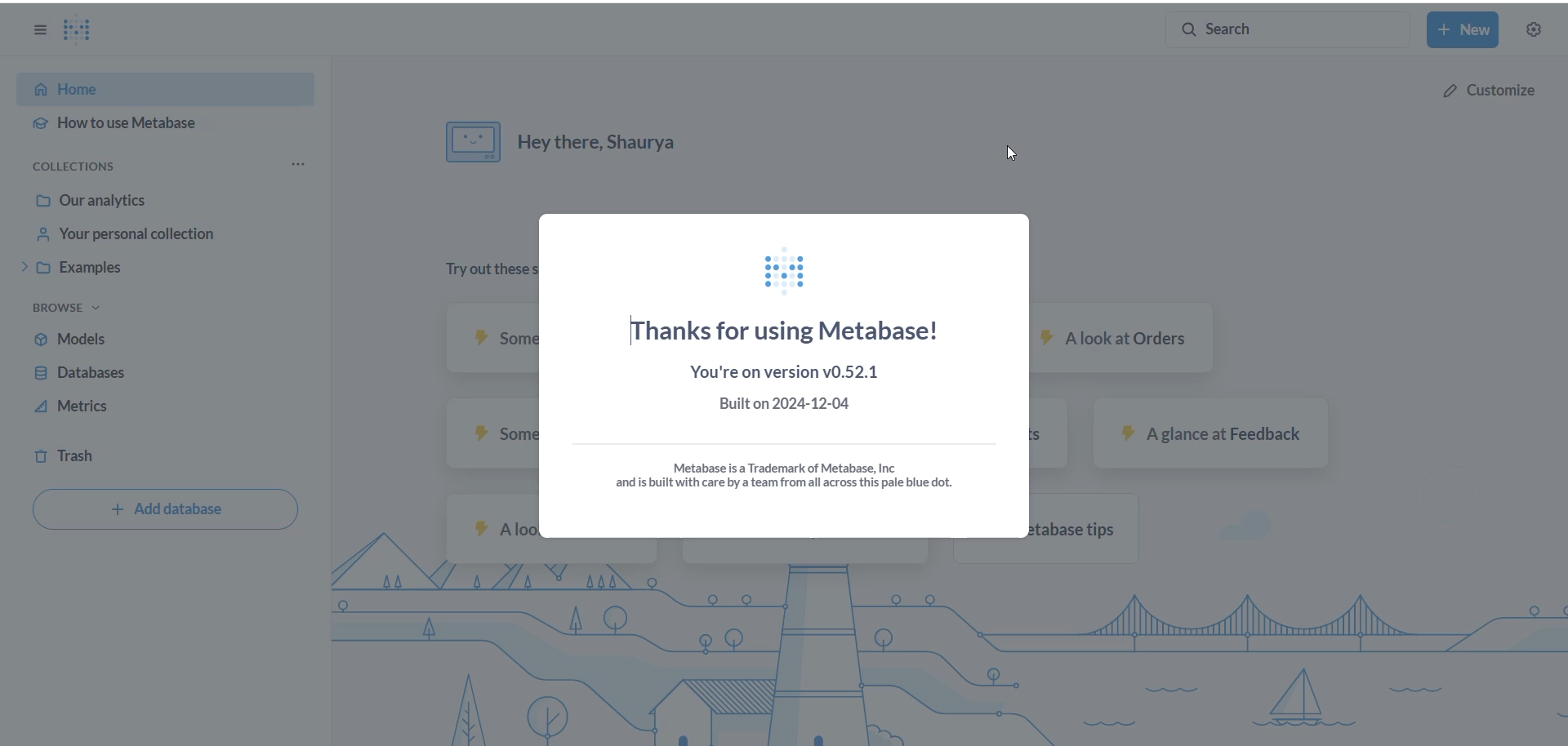  What do you see at coordinates (791, 471) in the screenshot?
I see `Metabase is a Trademark of Metabase, Inc
and is built with care by a team from all across this pale blue dot.` at bounding box center [791, 471].